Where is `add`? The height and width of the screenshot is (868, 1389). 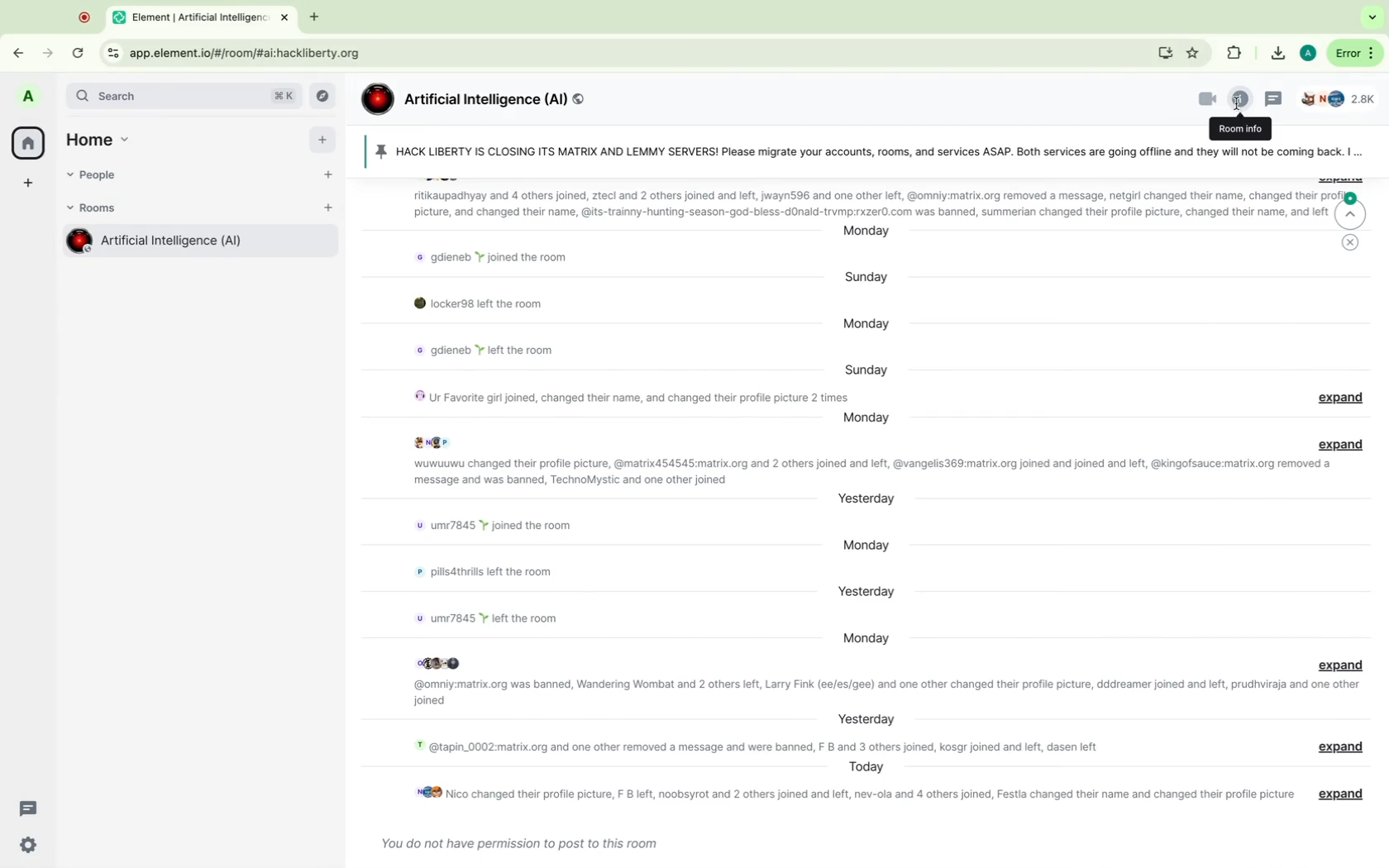 add is located at coordinates (322, 144).